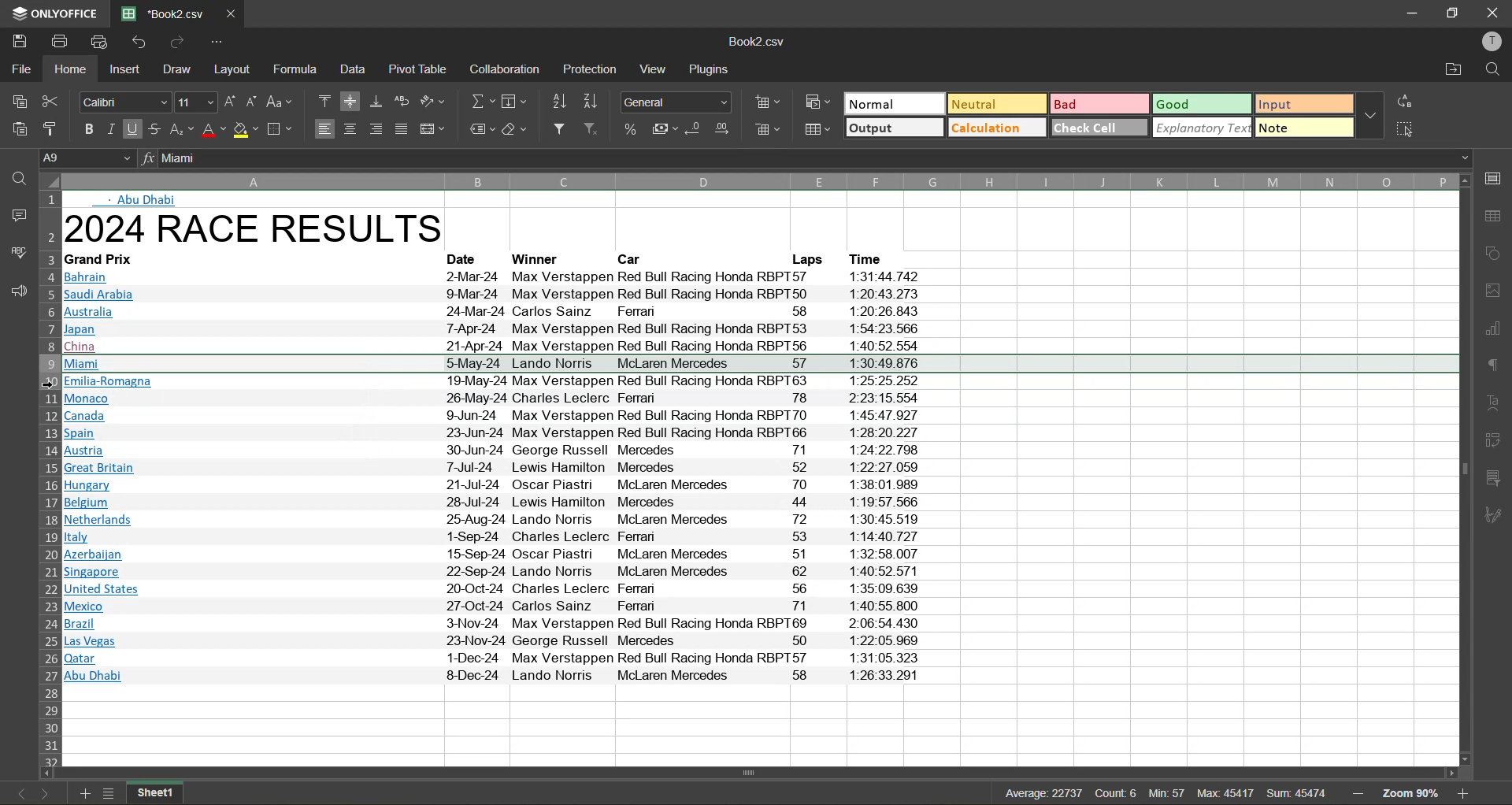 This screenshot has height=805, width=1512. I want to click on Monaco 26-May-24 Charles Leclerc Ferman 78 2:23:15.554, so click(491, 399).